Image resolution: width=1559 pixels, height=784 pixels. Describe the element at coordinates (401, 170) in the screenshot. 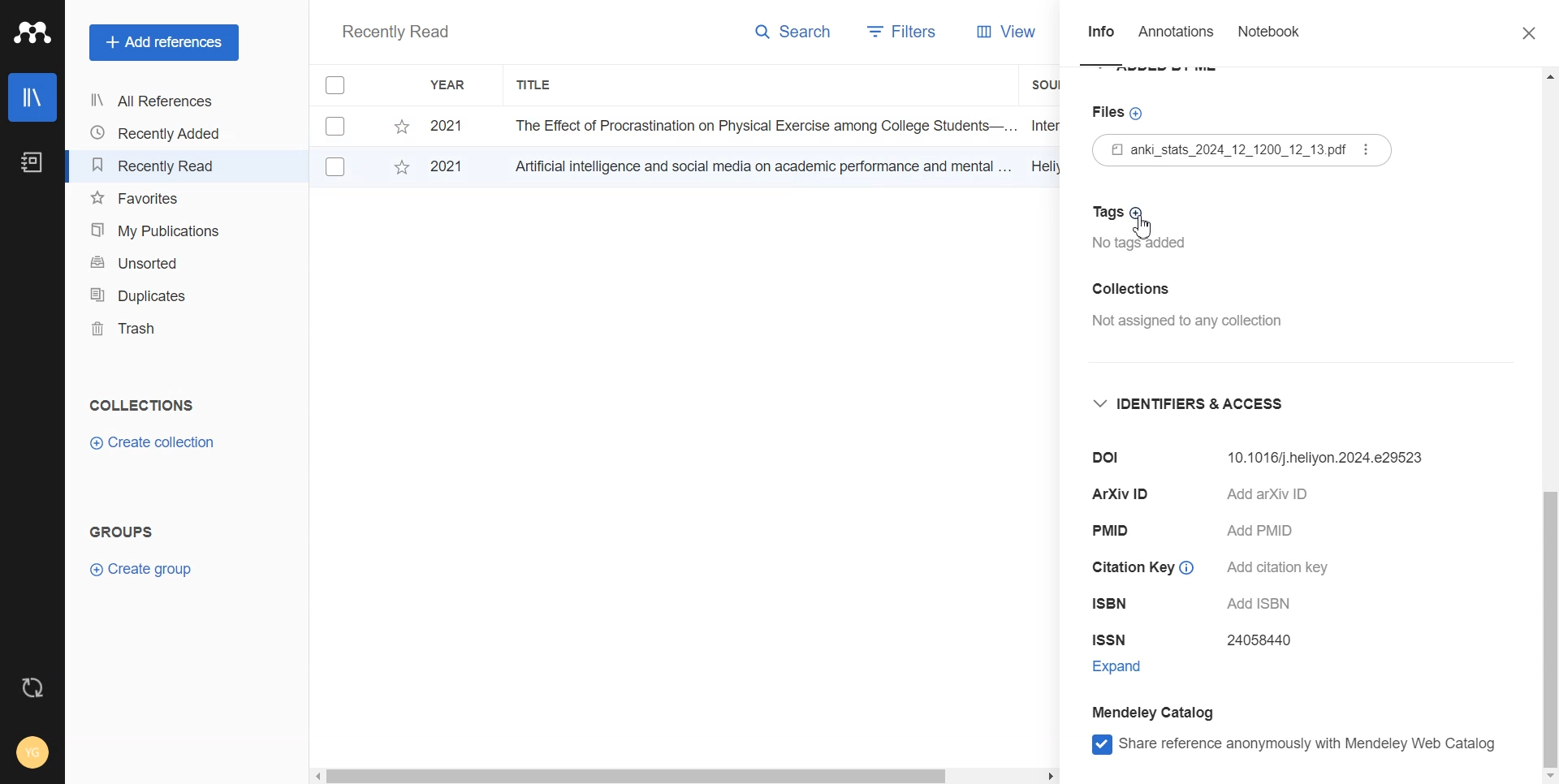

I see `Starred` at that location.